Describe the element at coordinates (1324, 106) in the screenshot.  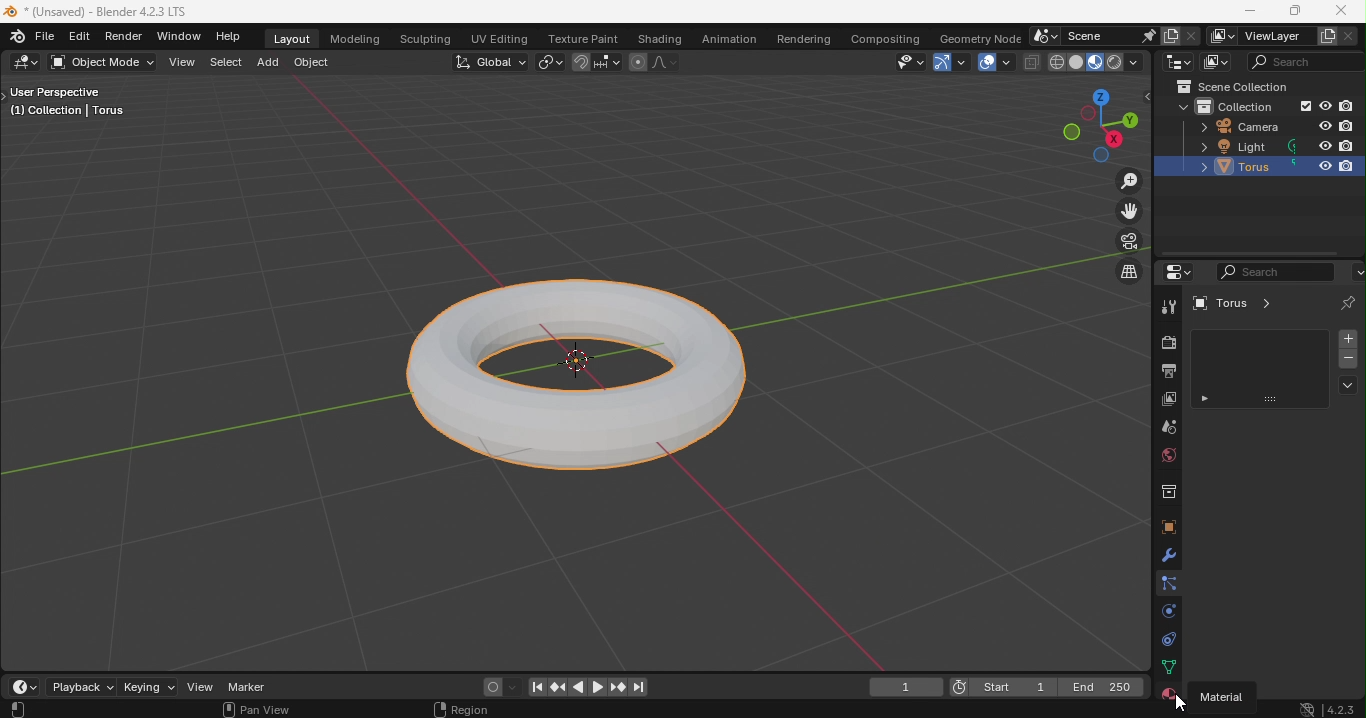
I see `Hide in viewpoint` at that location.